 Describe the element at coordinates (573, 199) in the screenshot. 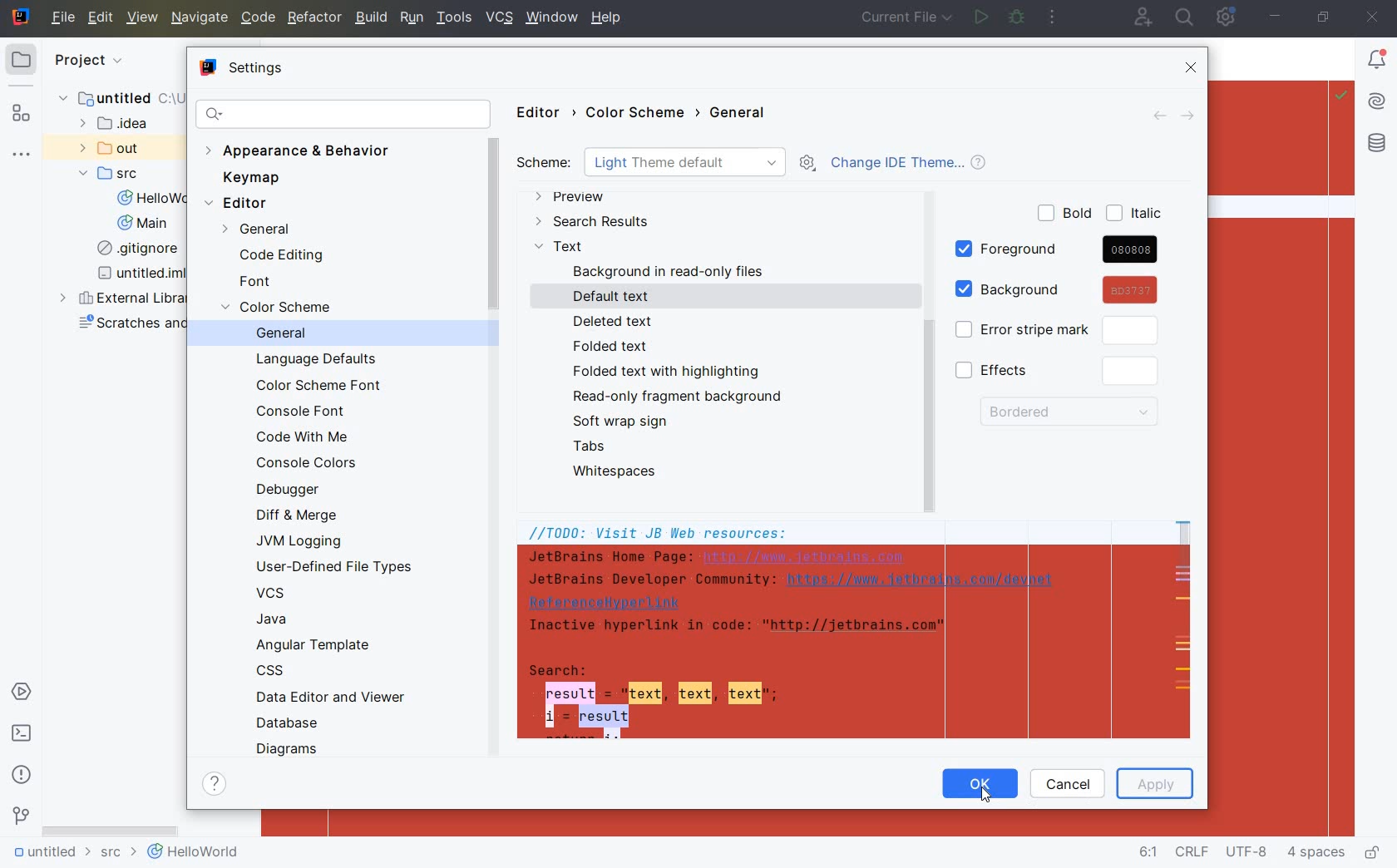

I see `PREVIEW` at that location.